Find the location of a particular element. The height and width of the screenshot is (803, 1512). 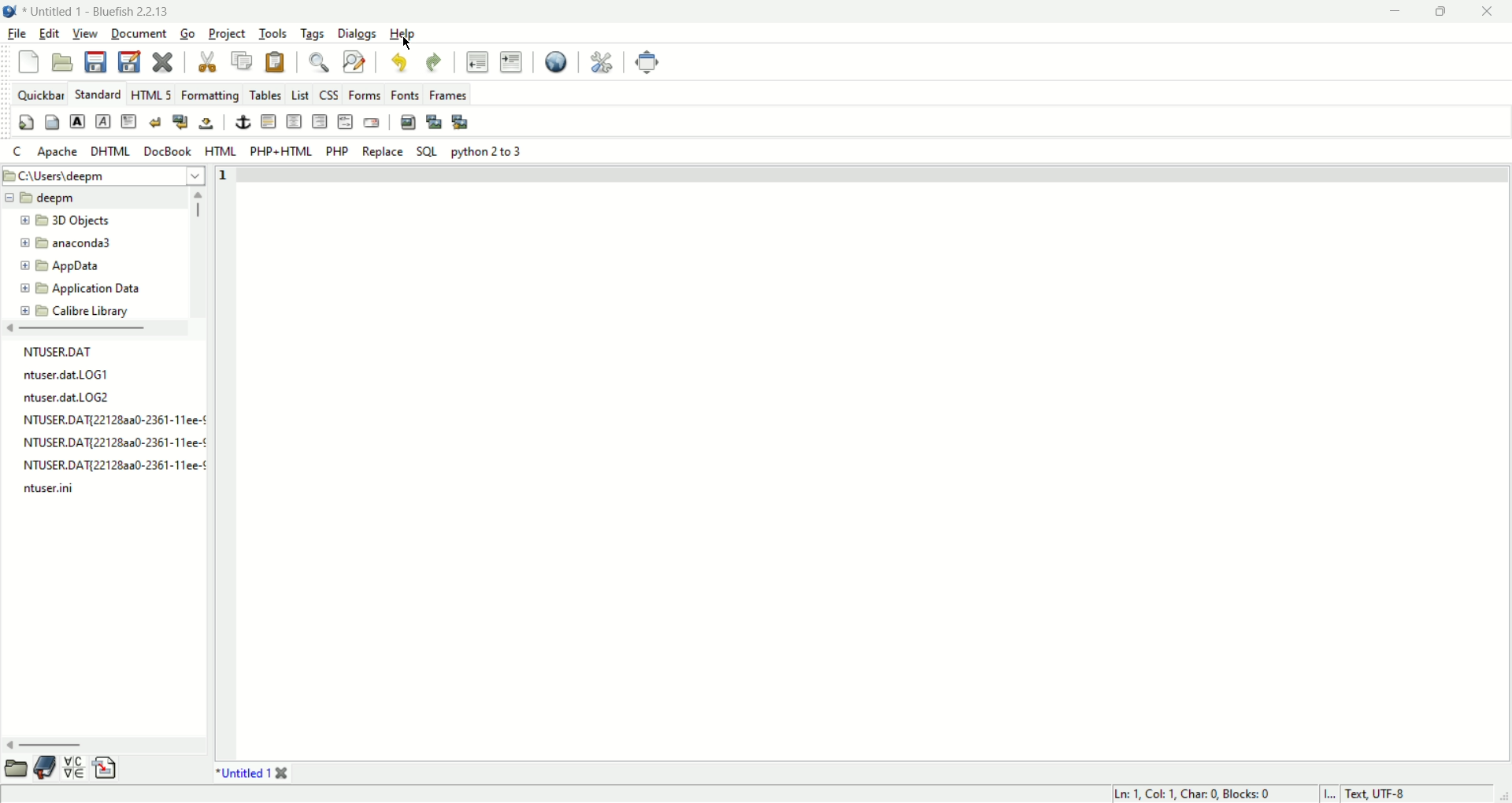

save is located at coordinates (98, 61).